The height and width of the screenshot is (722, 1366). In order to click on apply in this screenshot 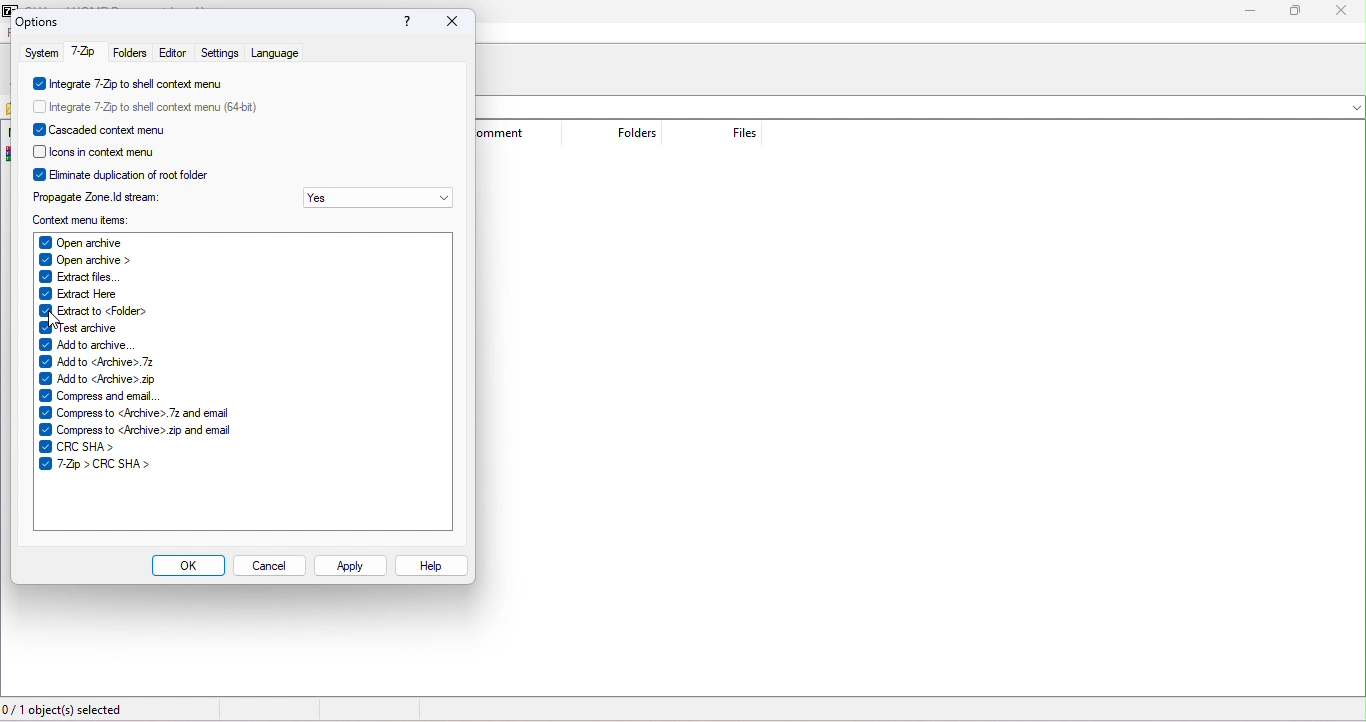, I will do `click(351, 566)`.